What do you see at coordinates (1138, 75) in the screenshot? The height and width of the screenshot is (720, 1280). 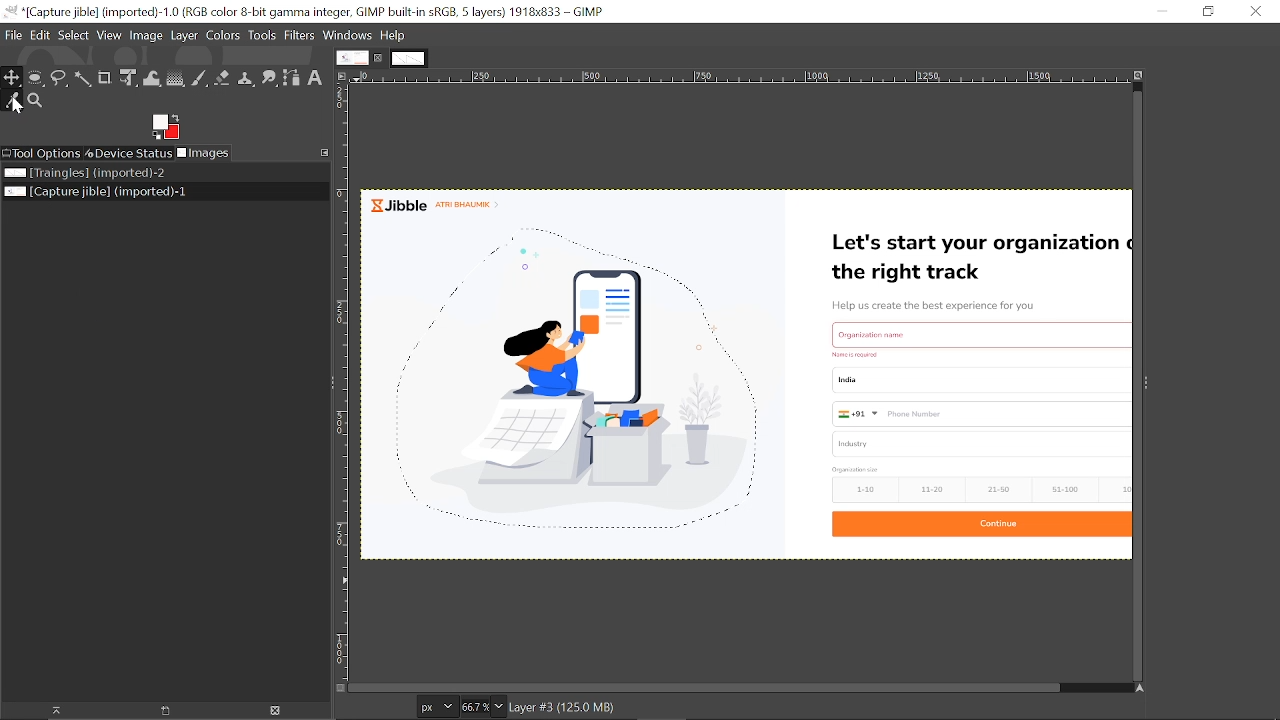 I see `Zoom image when window size changes` at bounding box center [1138, 75].